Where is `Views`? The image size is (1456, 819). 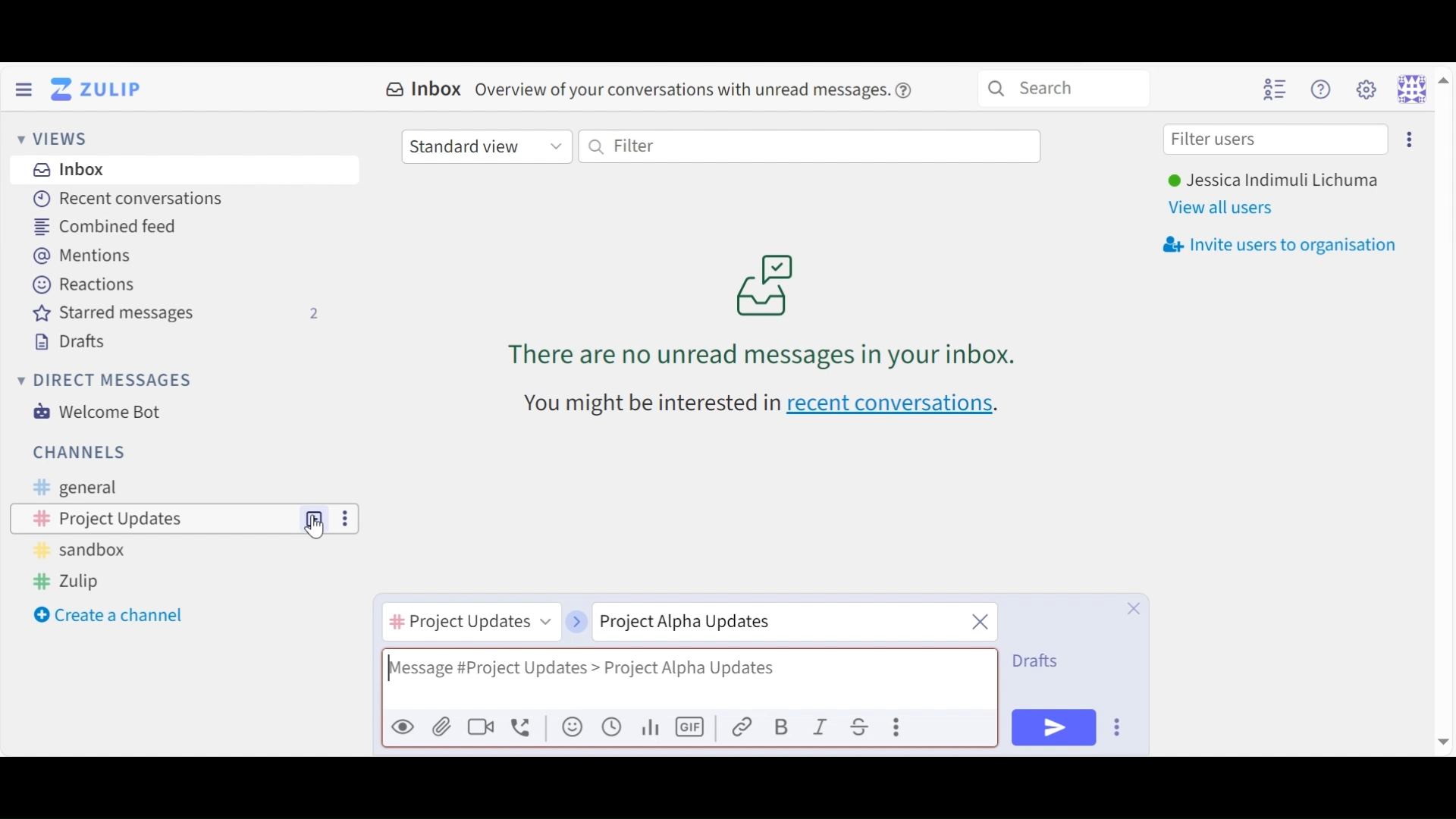
Views is located at coordinates (58, 139).